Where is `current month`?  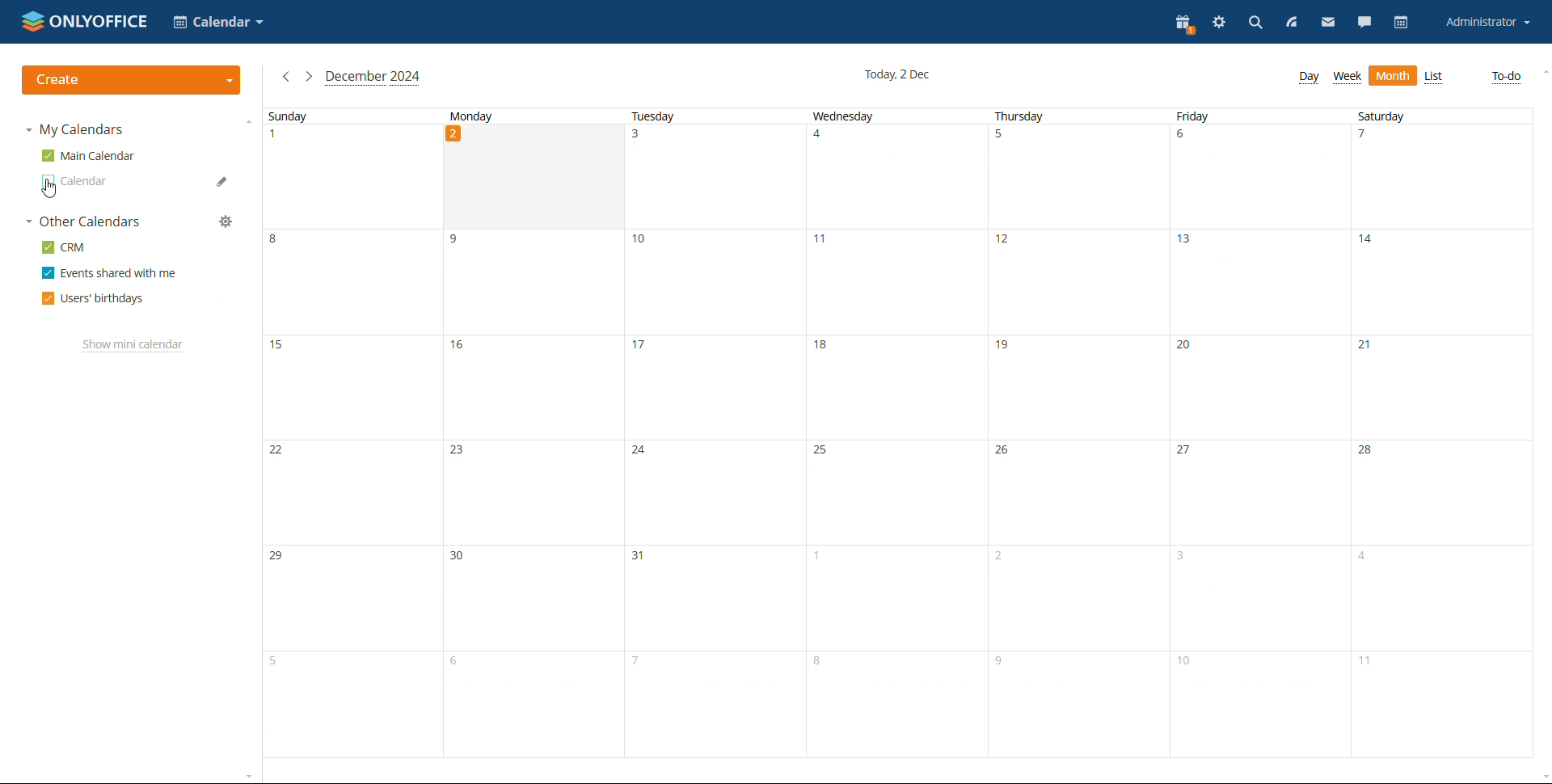 current month is located at coordinates (373, 77).